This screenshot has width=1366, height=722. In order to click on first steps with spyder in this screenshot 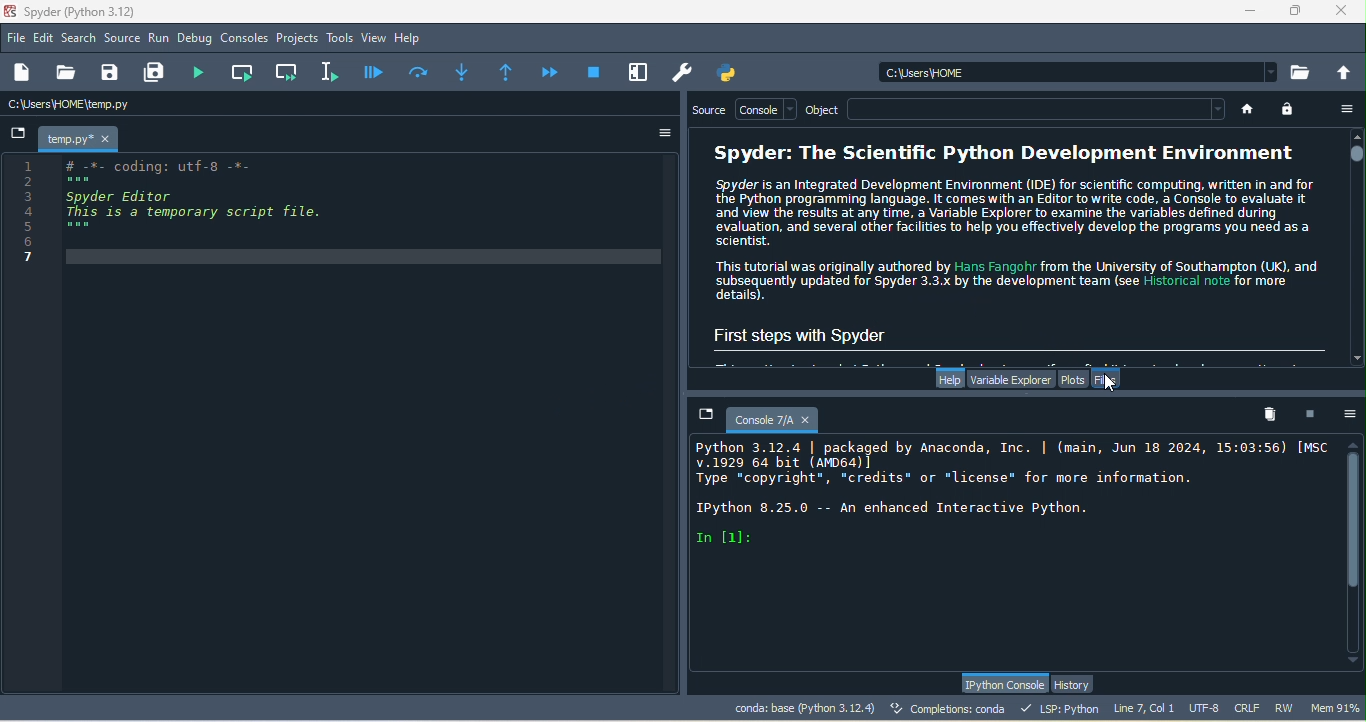, I will do `click(822, 332)`.